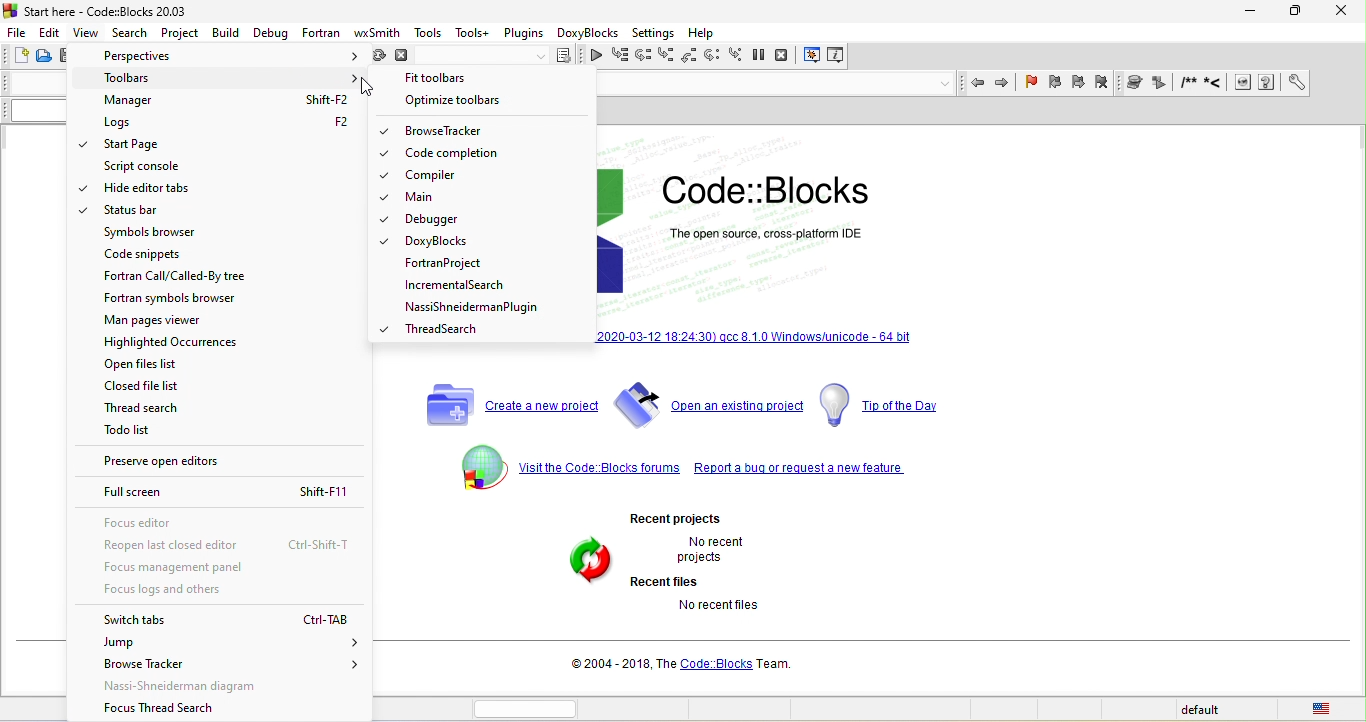 Image resolution: width=1366 pixels, height=722 pixels. Describe the element at coordinates (377, 59) in the screenshot. I see `rebuild` at that location.